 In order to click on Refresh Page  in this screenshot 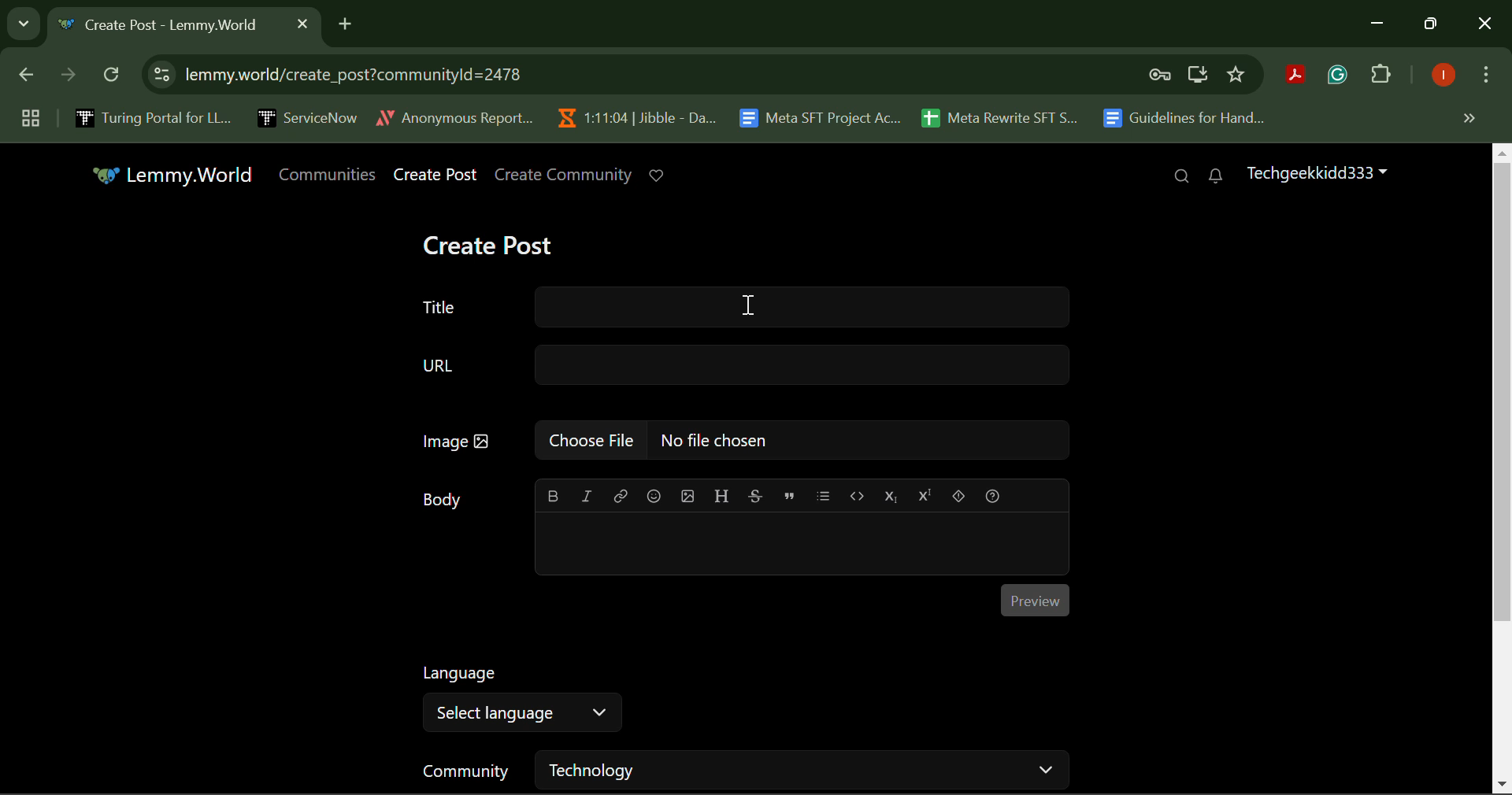, I will do `click(113, 76)`.